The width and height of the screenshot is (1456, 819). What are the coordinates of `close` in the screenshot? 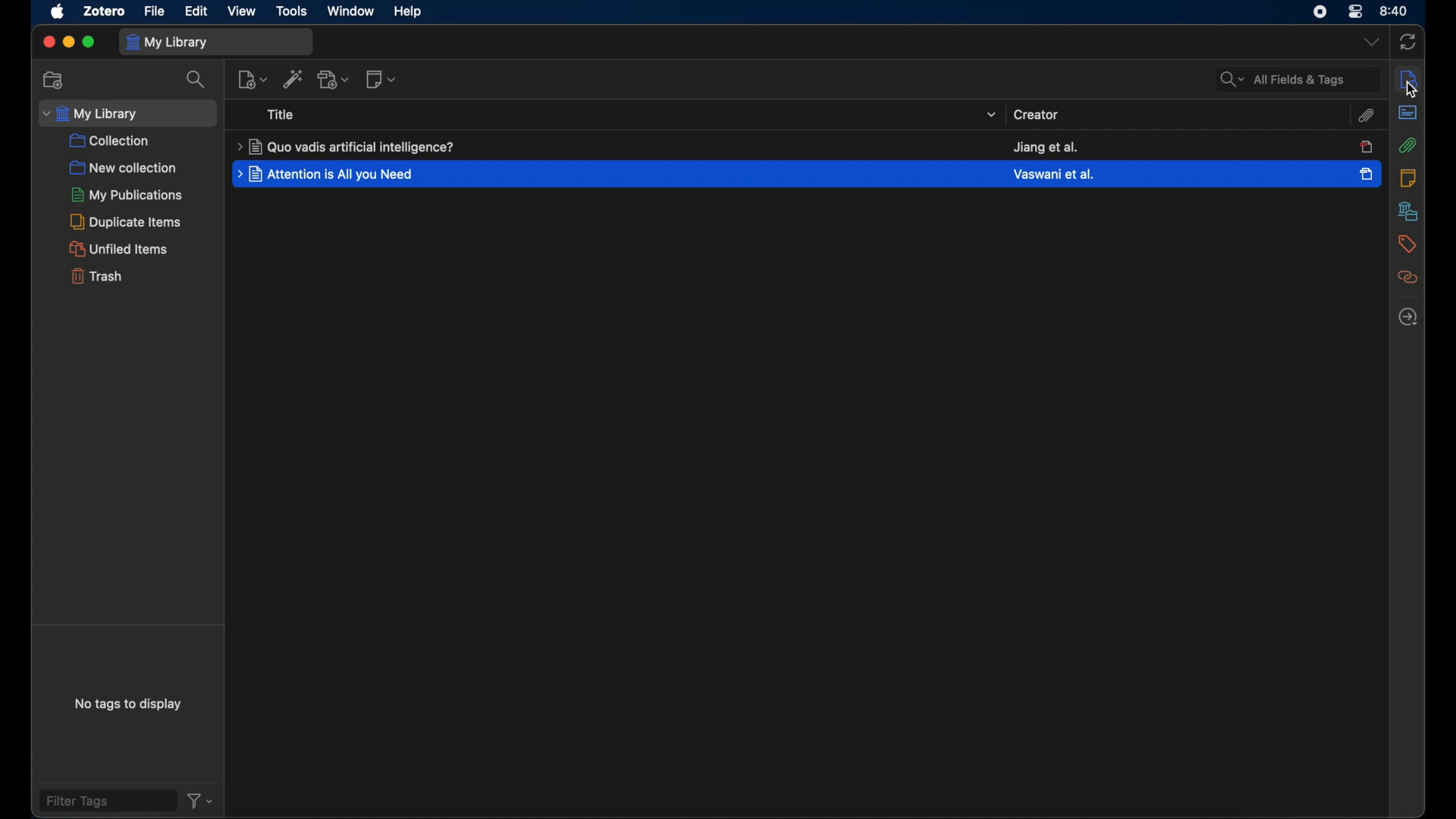 It's located at (46, 42).